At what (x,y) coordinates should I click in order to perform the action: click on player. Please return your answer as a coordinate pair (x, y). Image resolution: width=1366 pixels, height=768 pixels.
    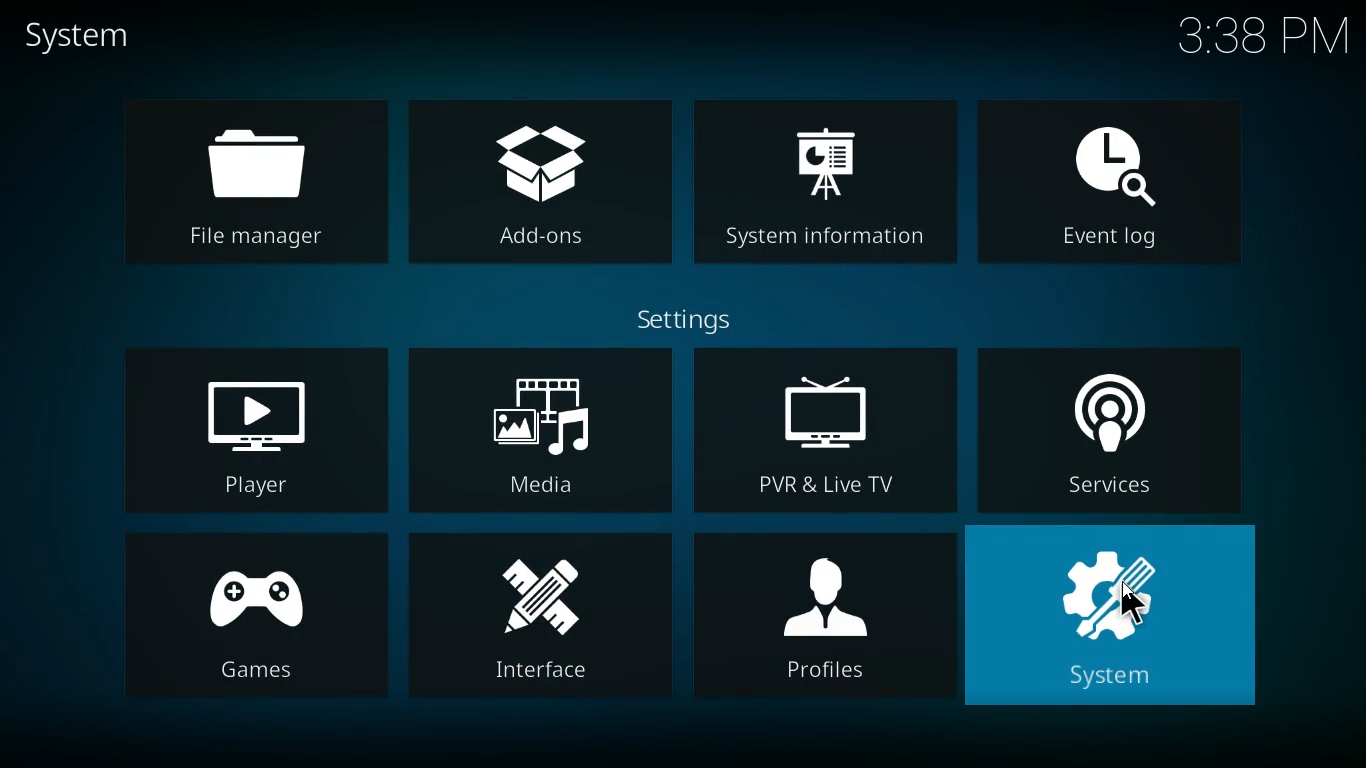
    Looking at the image, I should click on (248, 428).